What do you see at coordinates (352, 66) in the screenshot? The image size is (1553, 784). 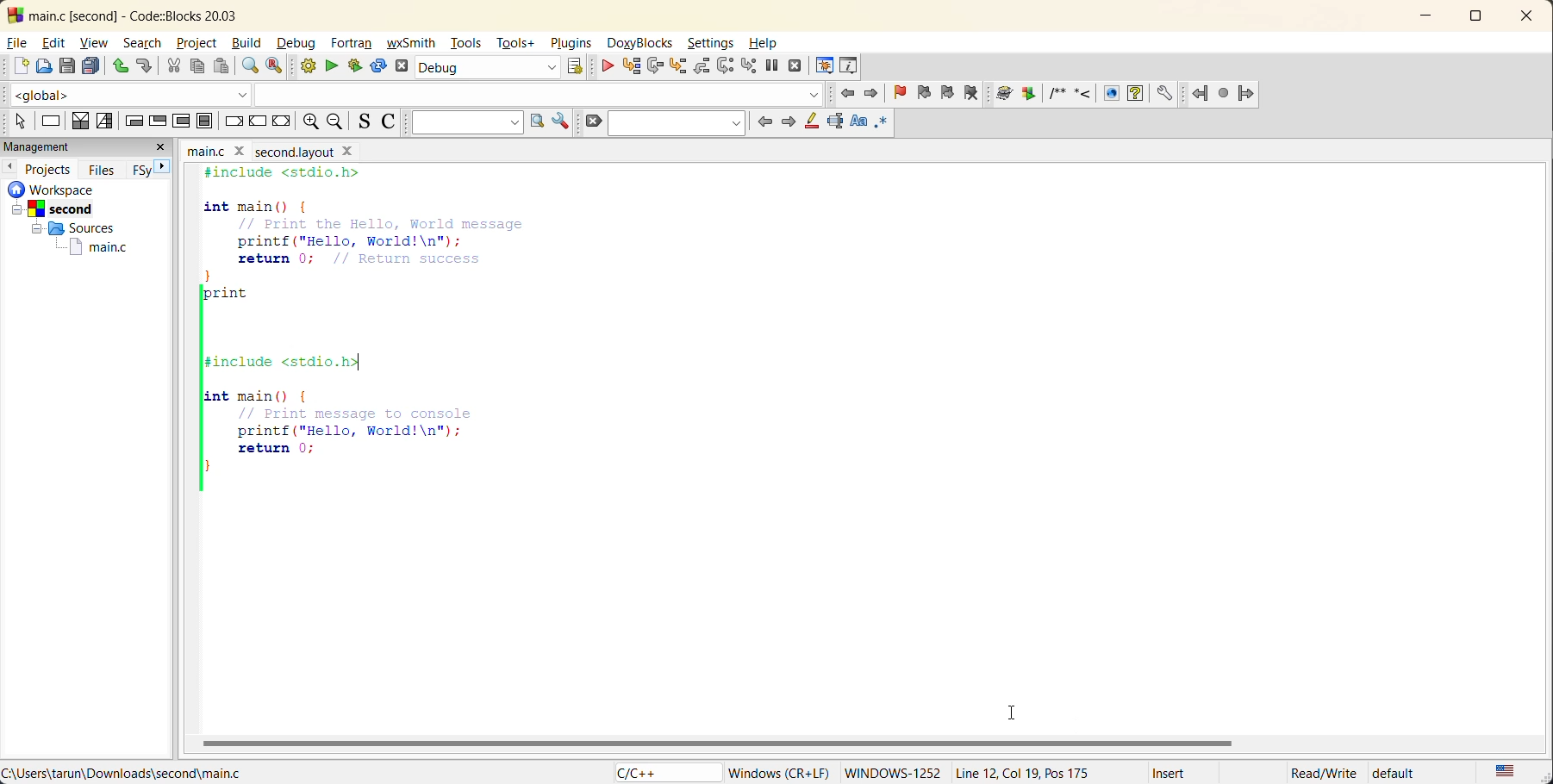 I see `build and run` at bounding box center [352, 66].